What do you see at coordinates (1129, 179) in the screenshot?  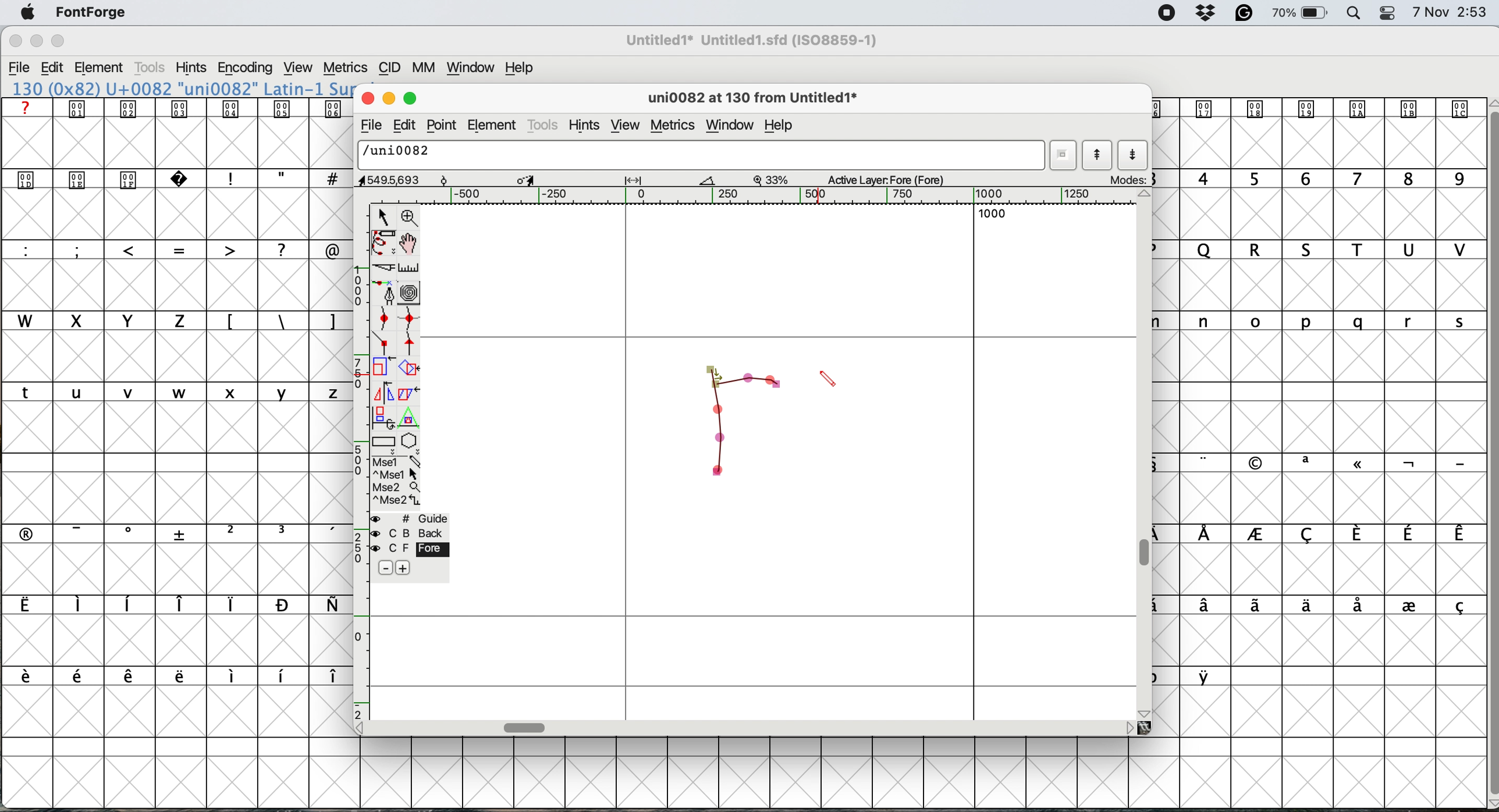 I see `modes` at bounding box center [1129, 179].